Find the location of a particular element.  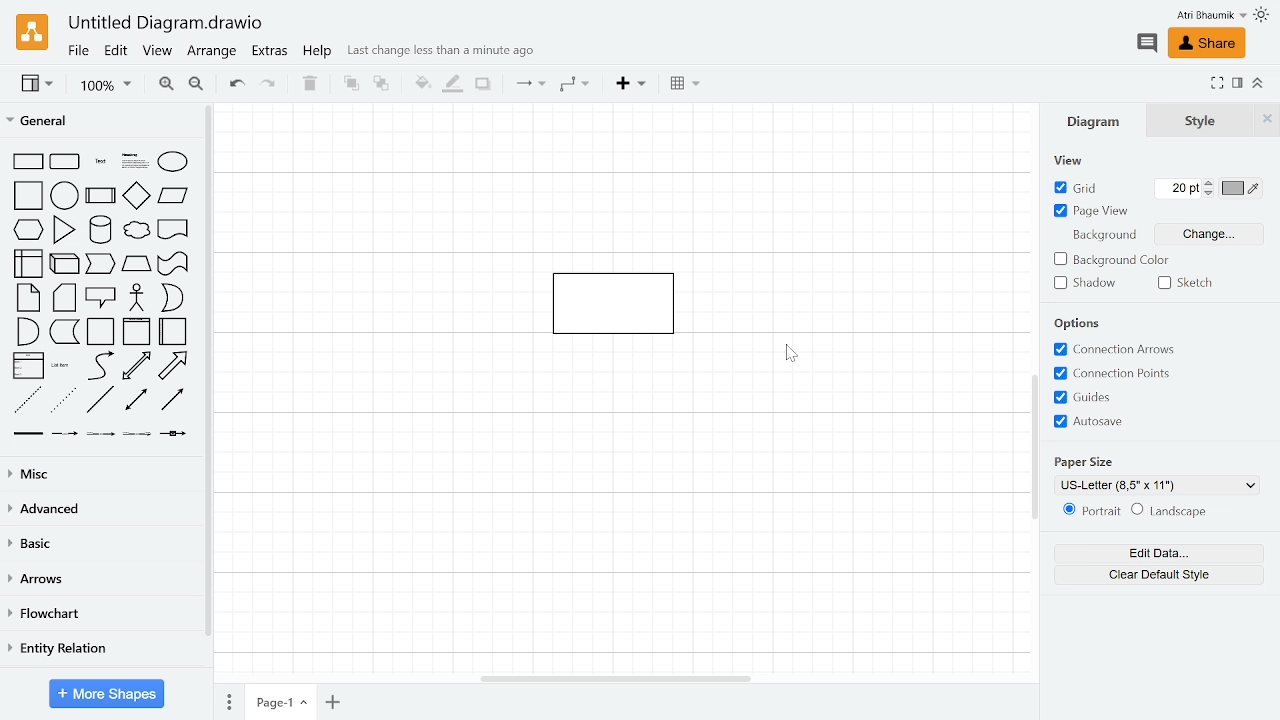

Fill color is located at coordinates (420, 83).